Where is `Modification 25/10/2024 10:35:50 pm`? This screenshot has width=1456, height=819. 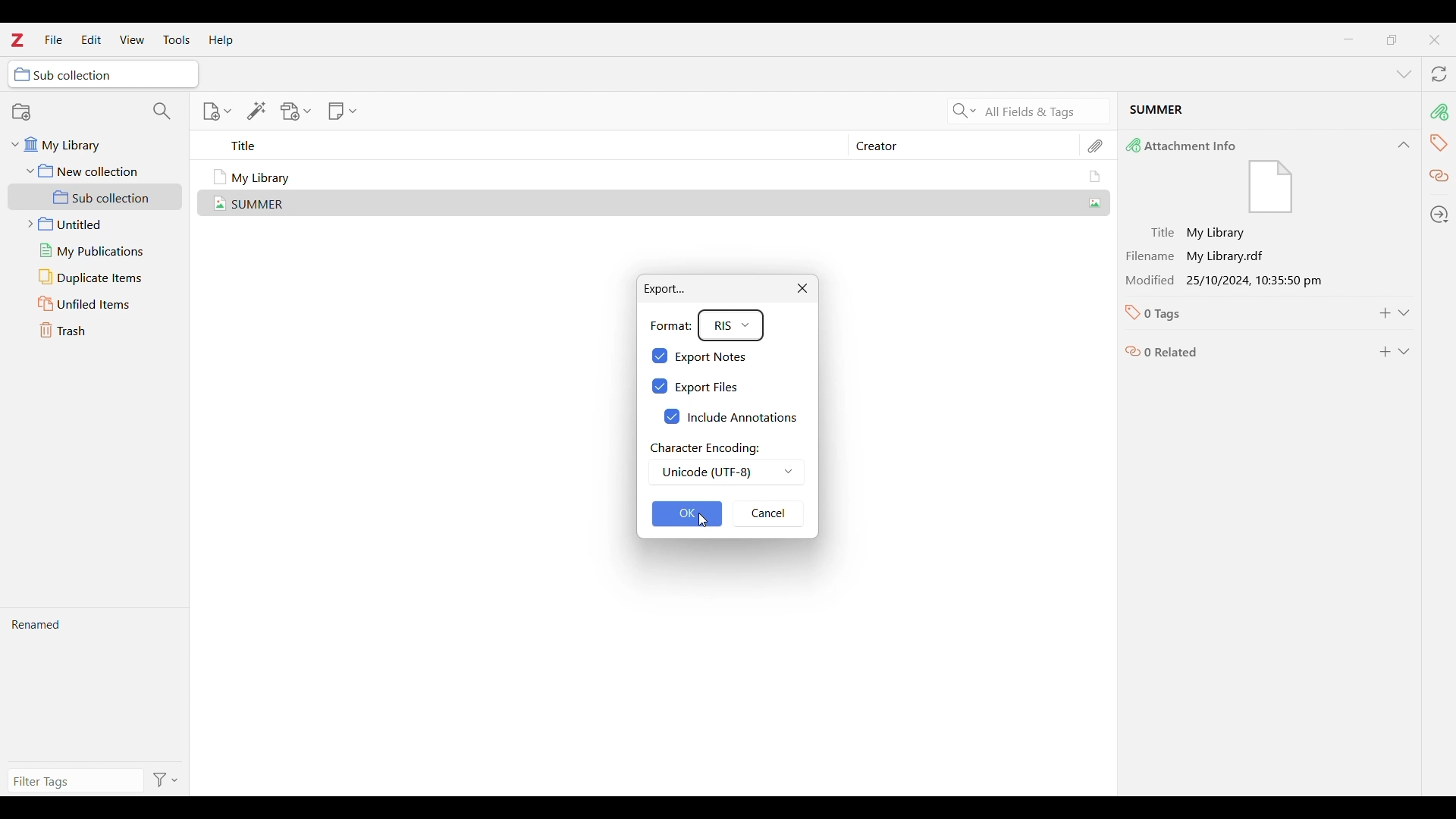 Modification 25/10/2024 10:35:50 pm is located at coordinates (1241, 280).